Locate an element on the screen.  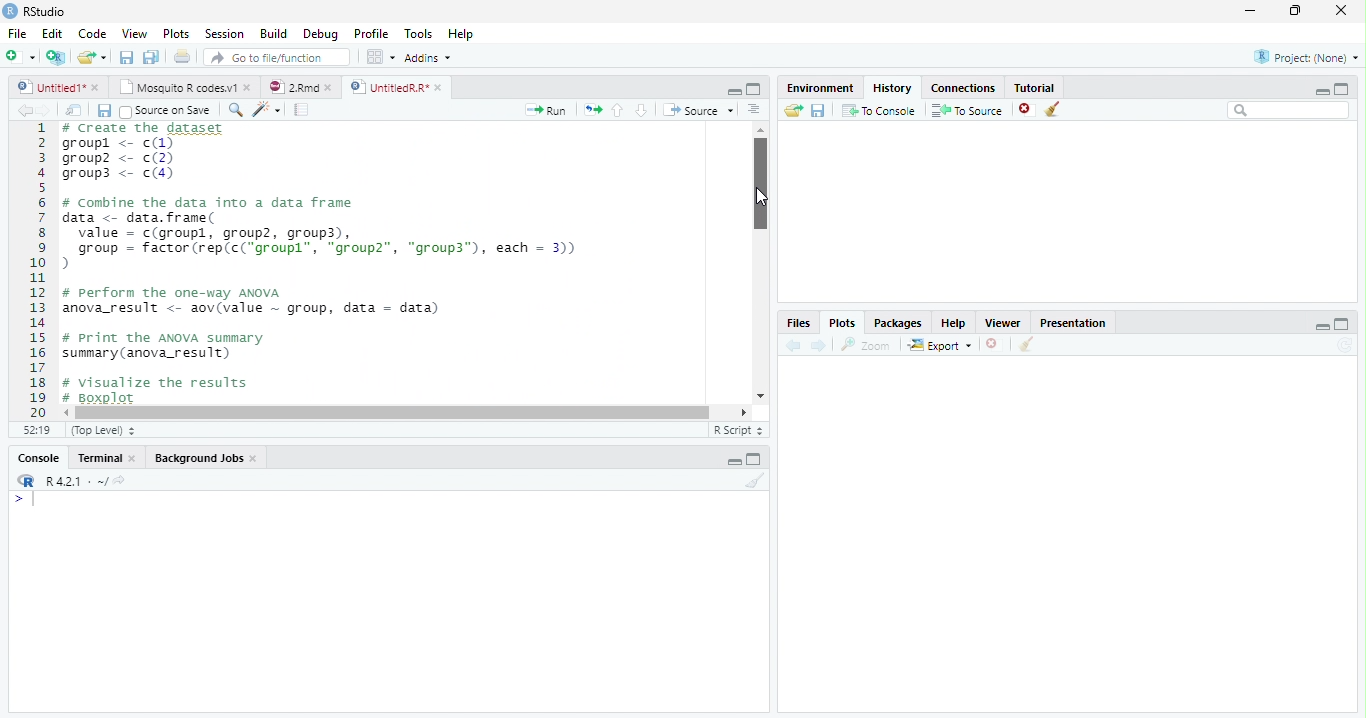
Build is located at coordinates (277, 34).